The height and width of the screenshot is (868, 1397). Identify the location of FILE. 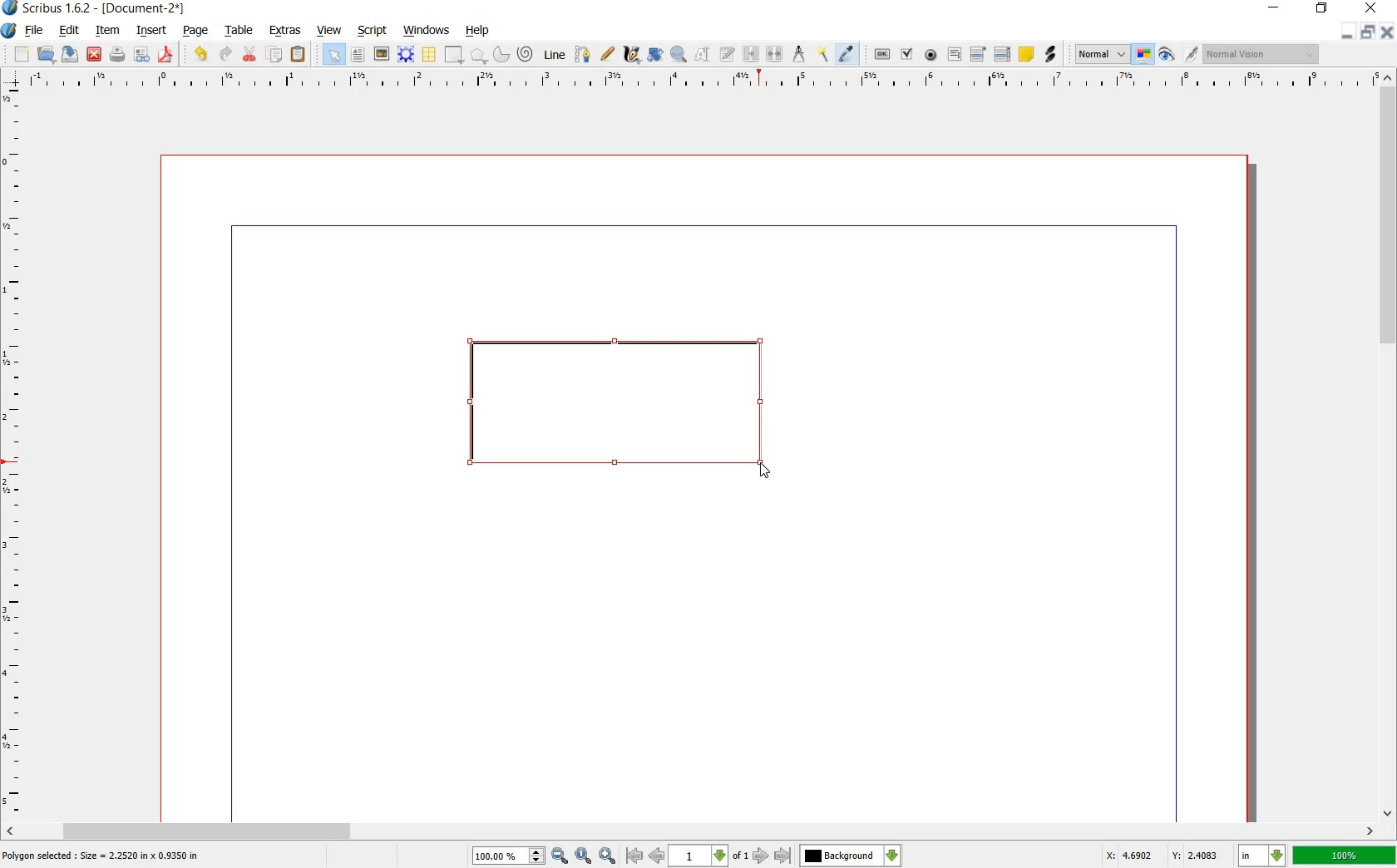
(34, 32).